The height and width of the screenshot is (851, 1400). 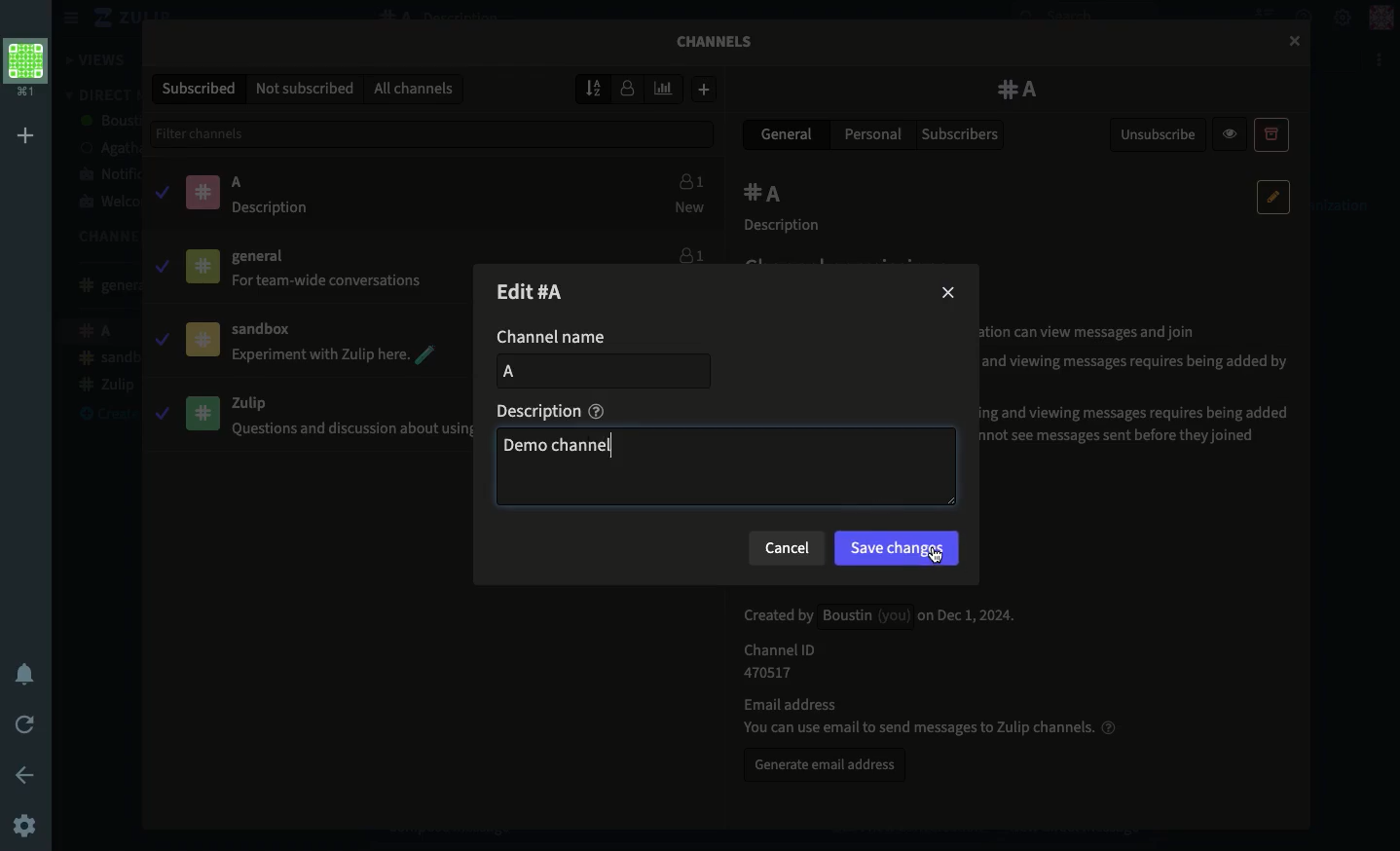 What do you see at coordinates (211, 263) in the screenshot?
I see `Pinned` at bounding box center [211, 263].